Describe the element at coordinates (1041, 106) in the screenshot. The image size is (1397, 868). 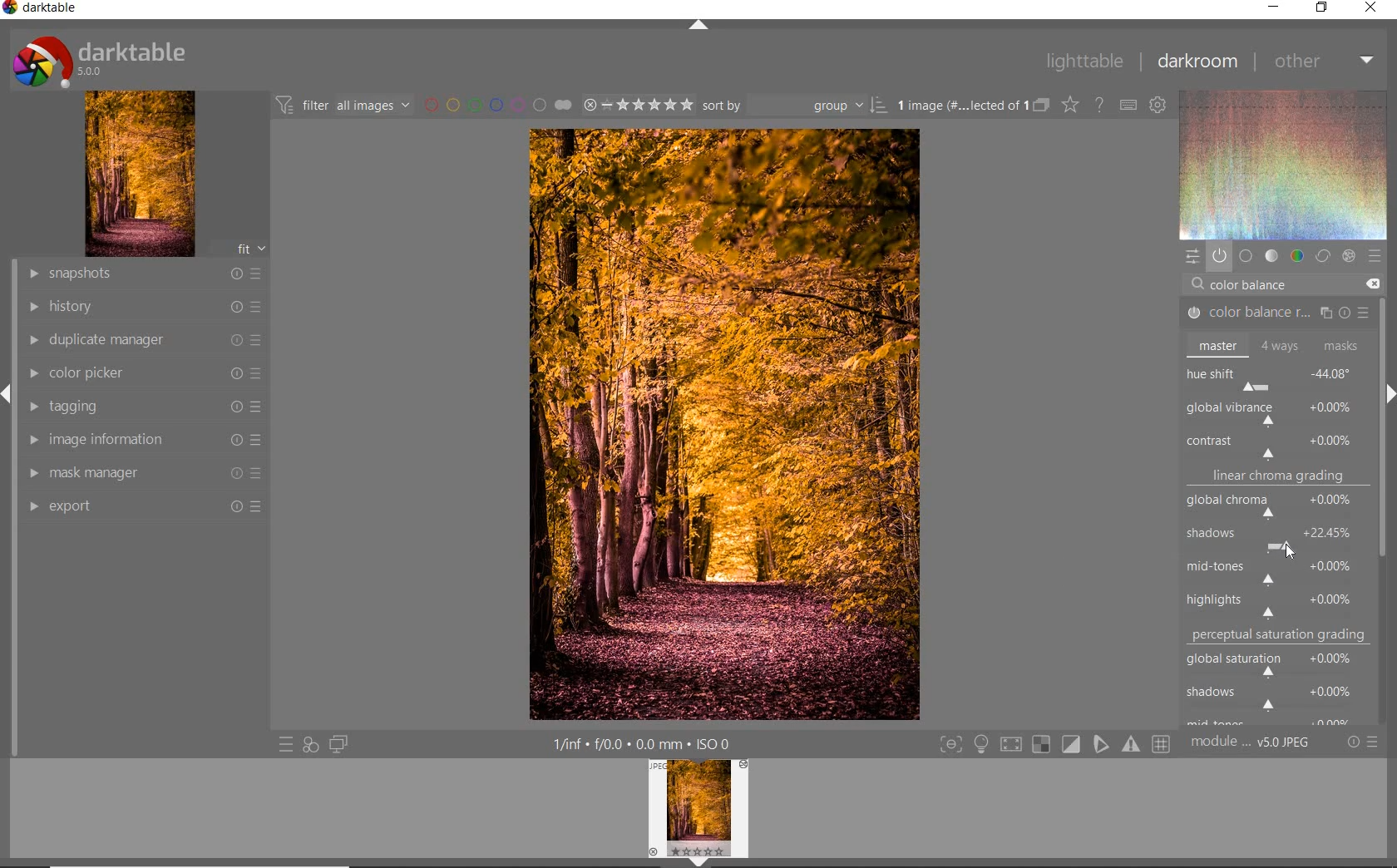
I see `collapse grouped image` at that location.